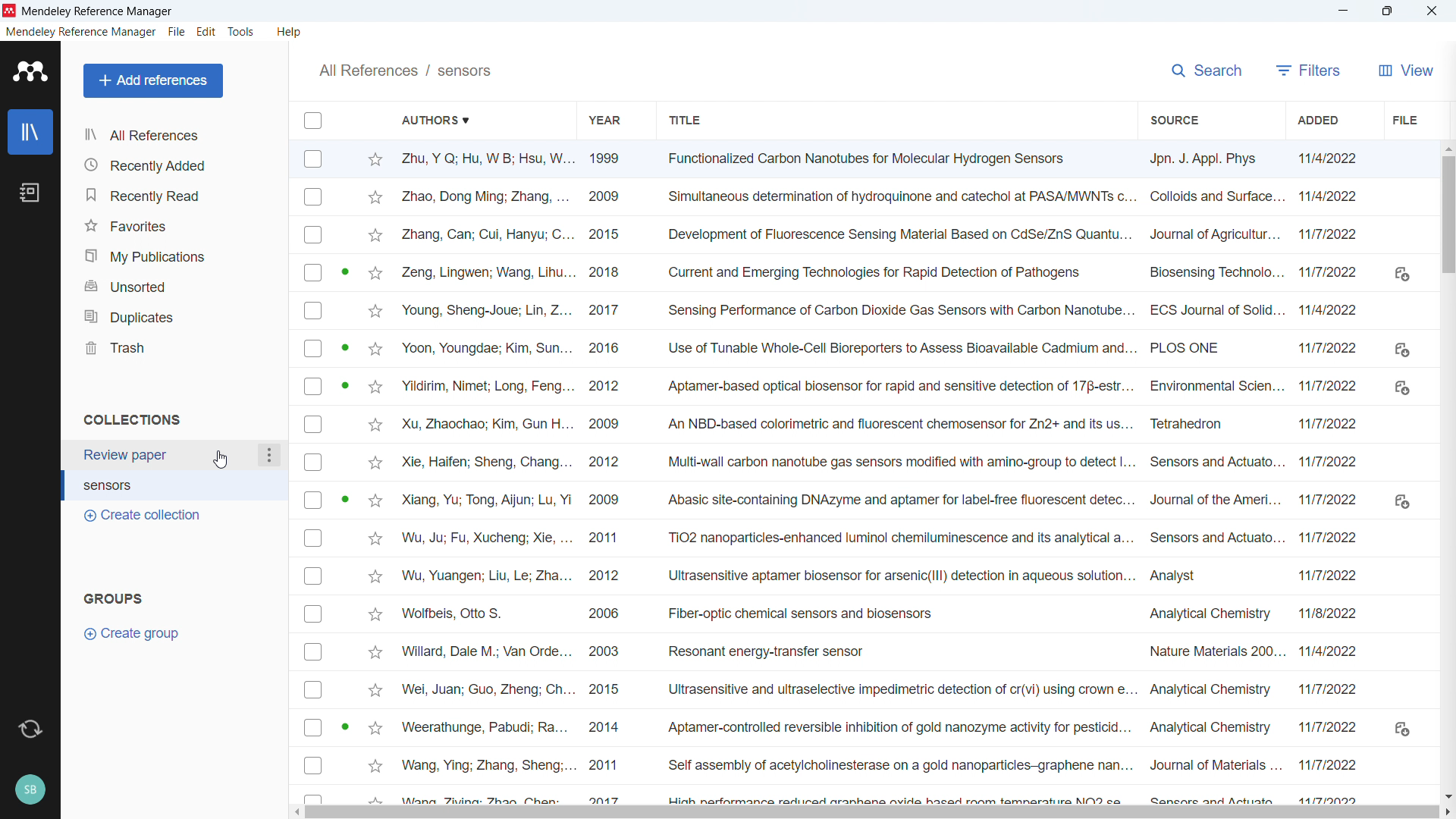  I want to click on PDF available, so click(344, 726).